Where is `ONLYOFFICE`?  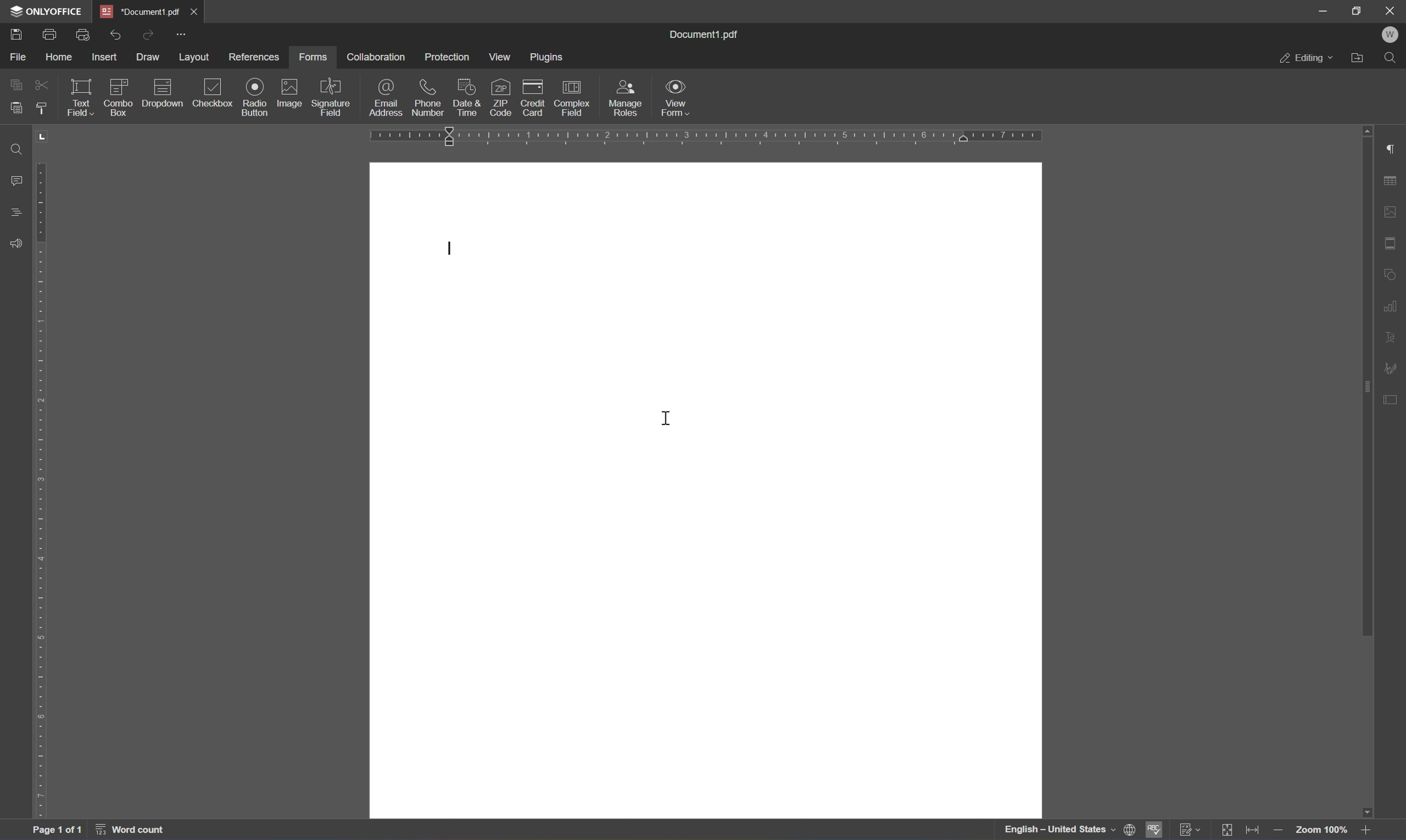
ONLYOFFICE is located at coordinates (44, 11).